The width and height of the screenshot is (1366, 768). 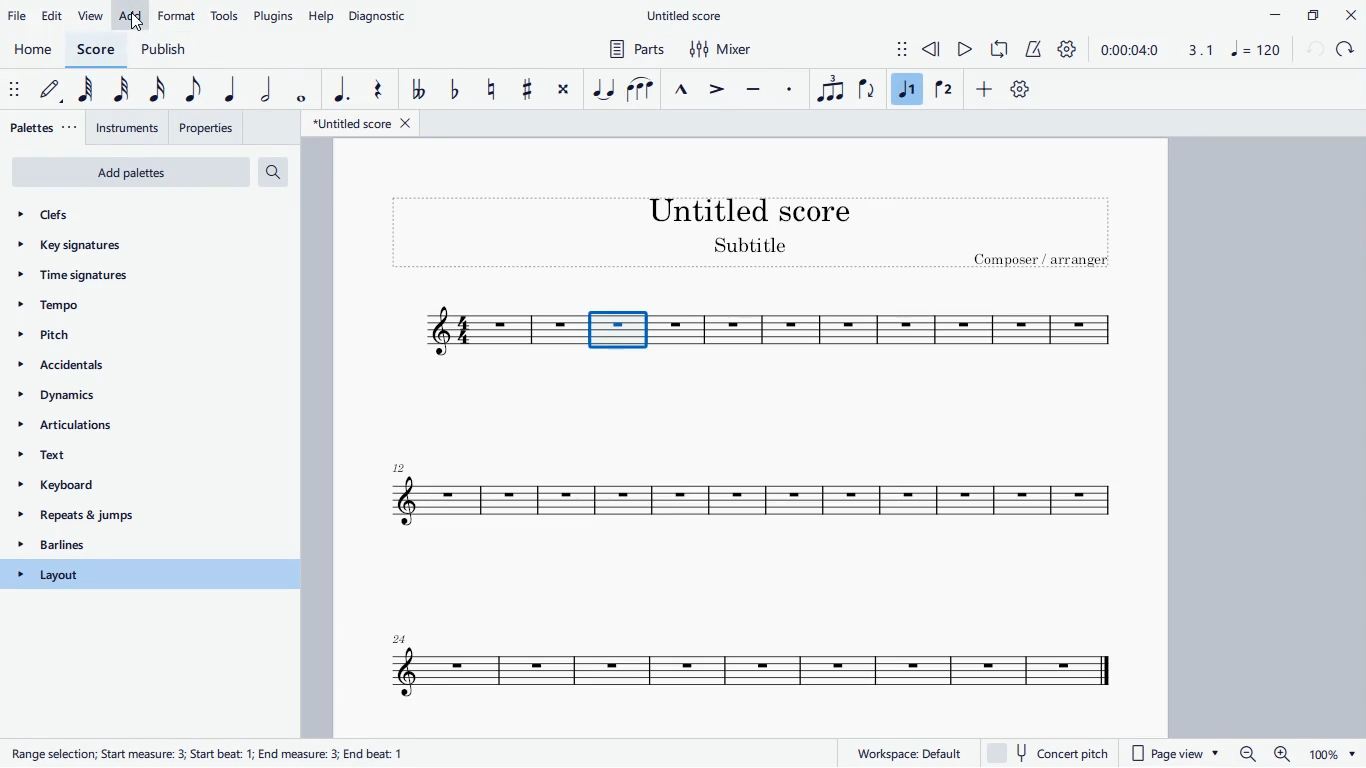 What do you see at coordinates (1348, 50) in the screenshot?
I see `forward` at bounding box center [1348, 50].